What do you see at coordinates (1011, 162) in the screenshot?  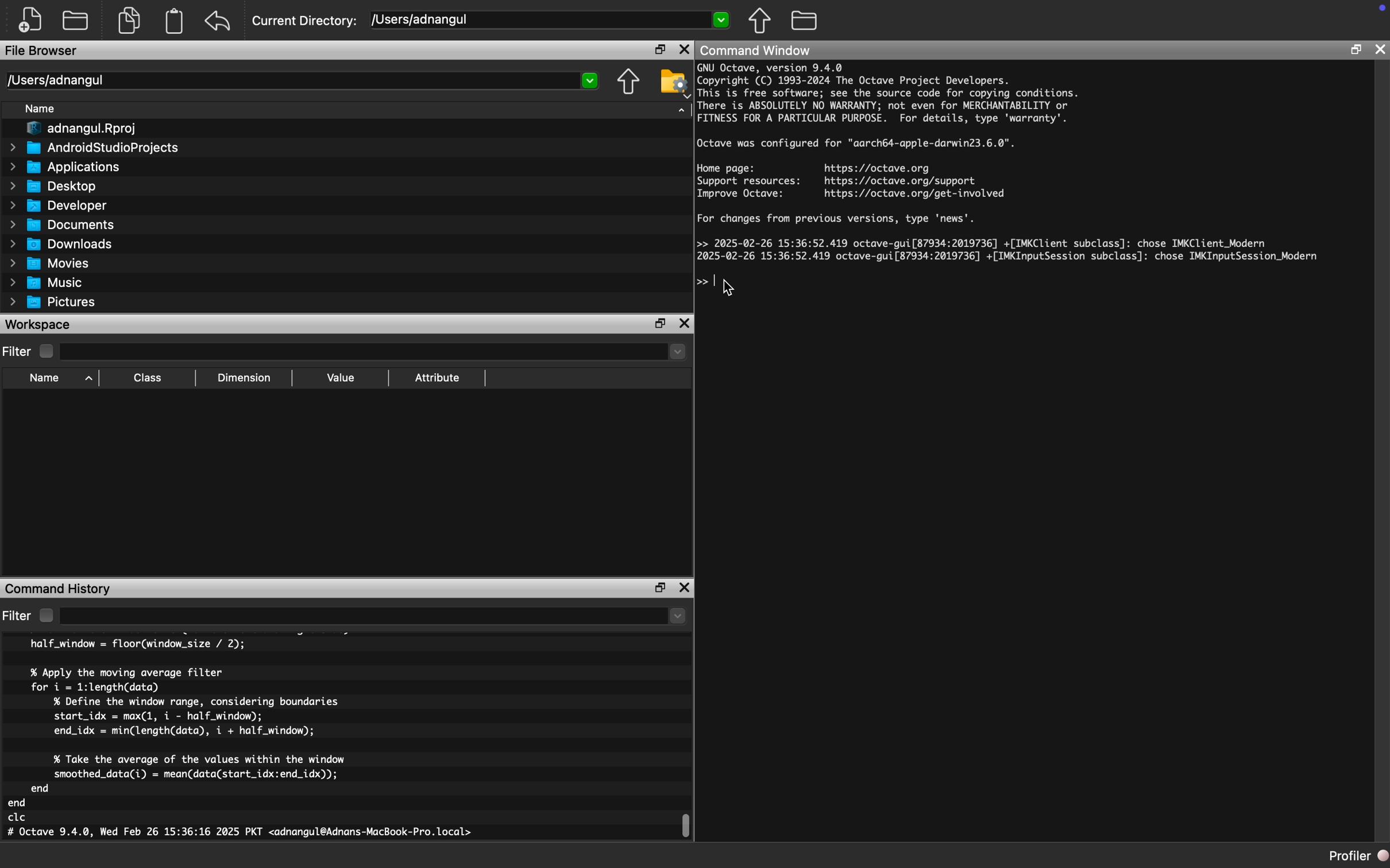 I see `GNU Octave, version 9.4.0

Copyright (C) 1993-2024 The Octave Project Developers.

This is free software; see the source code for copying conditions.

There is ABSOLUTELY NO WARRANTY; not even for MERCHANTABILITY or

FITNESS FOR A PARTICULAR PURPOSE. For details, type 'warranty'.

Octave was configured for "aarch64-apple-darwin23.6.0".

Home page: https://octave.org

Support resources: https://octave.org/support

Improve Octave: https://octave.org/get-involved

For changes from previous versions, type 'news'.

>> 2025-02-26 15:36:52.419 octave-gui[87934:2019736] +[IMKClient subclass]: chose IMKClient_Modern
2025-02-26 15:36:52.419 octave-gui[87934:2019736] +[IMKInputSession subclass]: chose IMKInputSession_Modern` at bounding box center [1011, 162].